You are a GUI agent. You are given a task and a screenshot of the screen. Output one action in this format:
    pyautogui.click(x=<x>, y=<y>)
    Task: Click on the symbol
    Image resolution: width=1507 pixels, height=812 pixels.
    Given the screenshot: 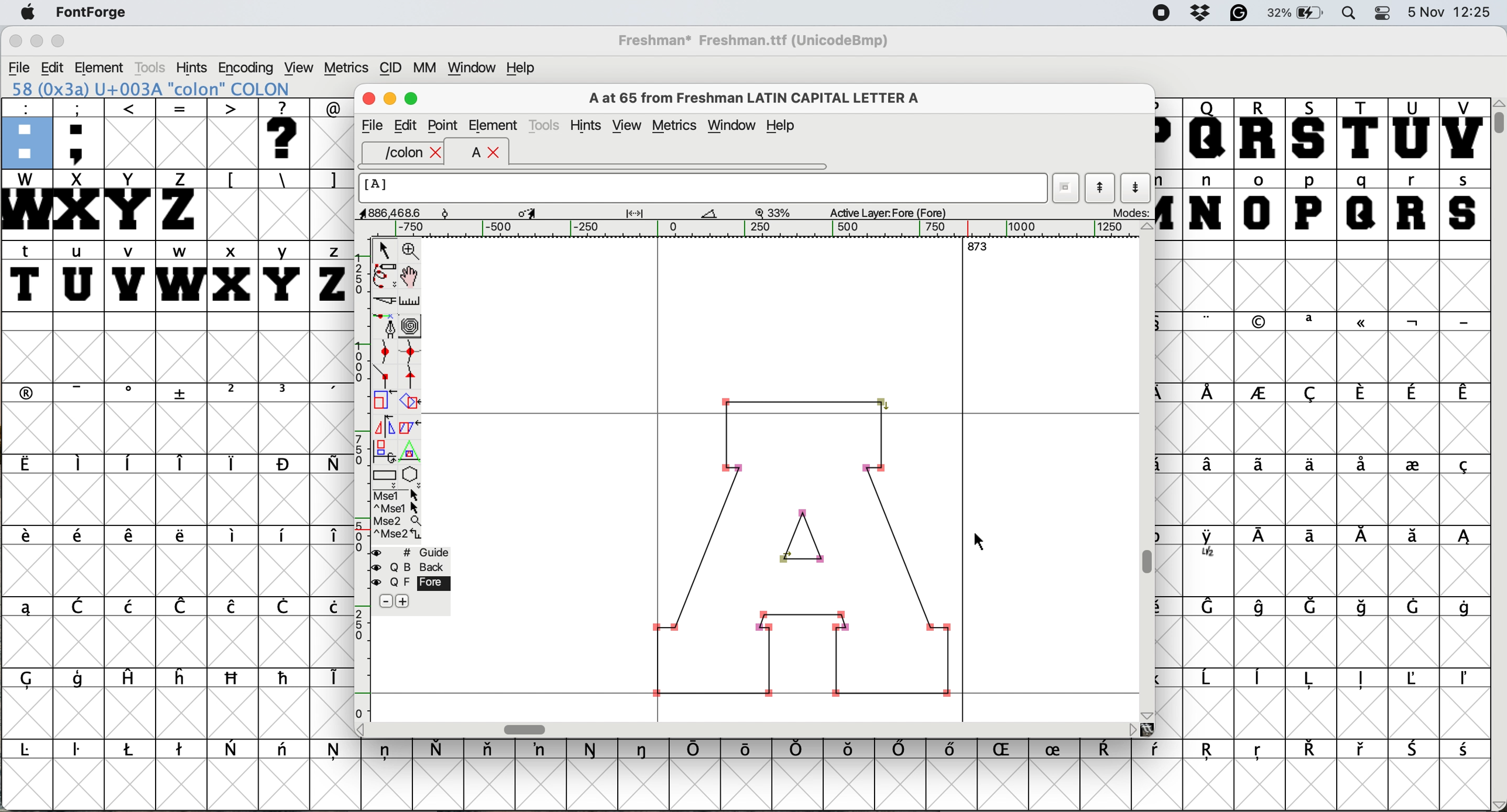 What is the action you would take?
    pyautogui.click(x=1462, y=322)
    